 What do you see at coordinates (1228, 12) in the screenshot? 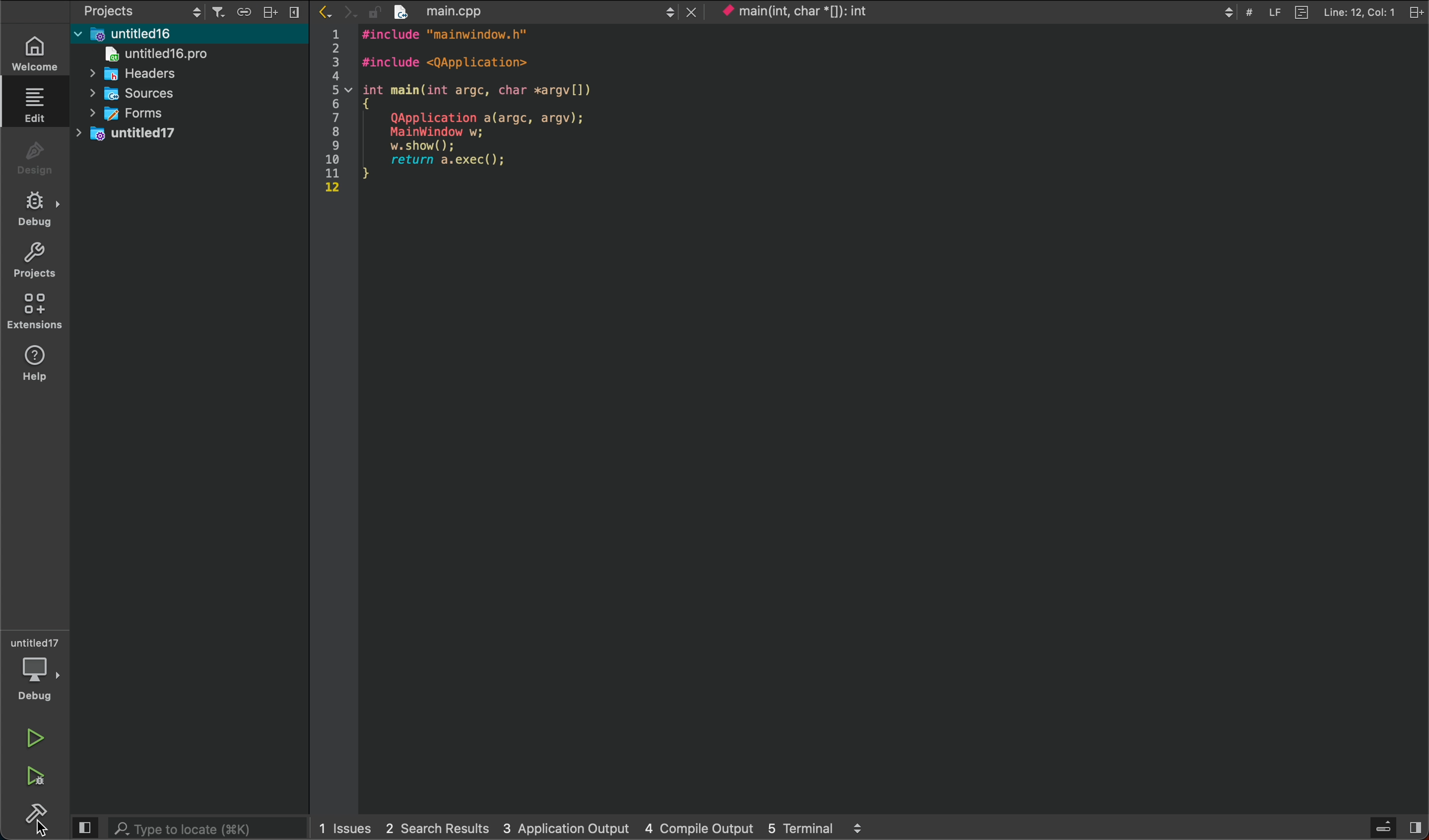
I see `Up/down` at bounding box center [1228, 12].